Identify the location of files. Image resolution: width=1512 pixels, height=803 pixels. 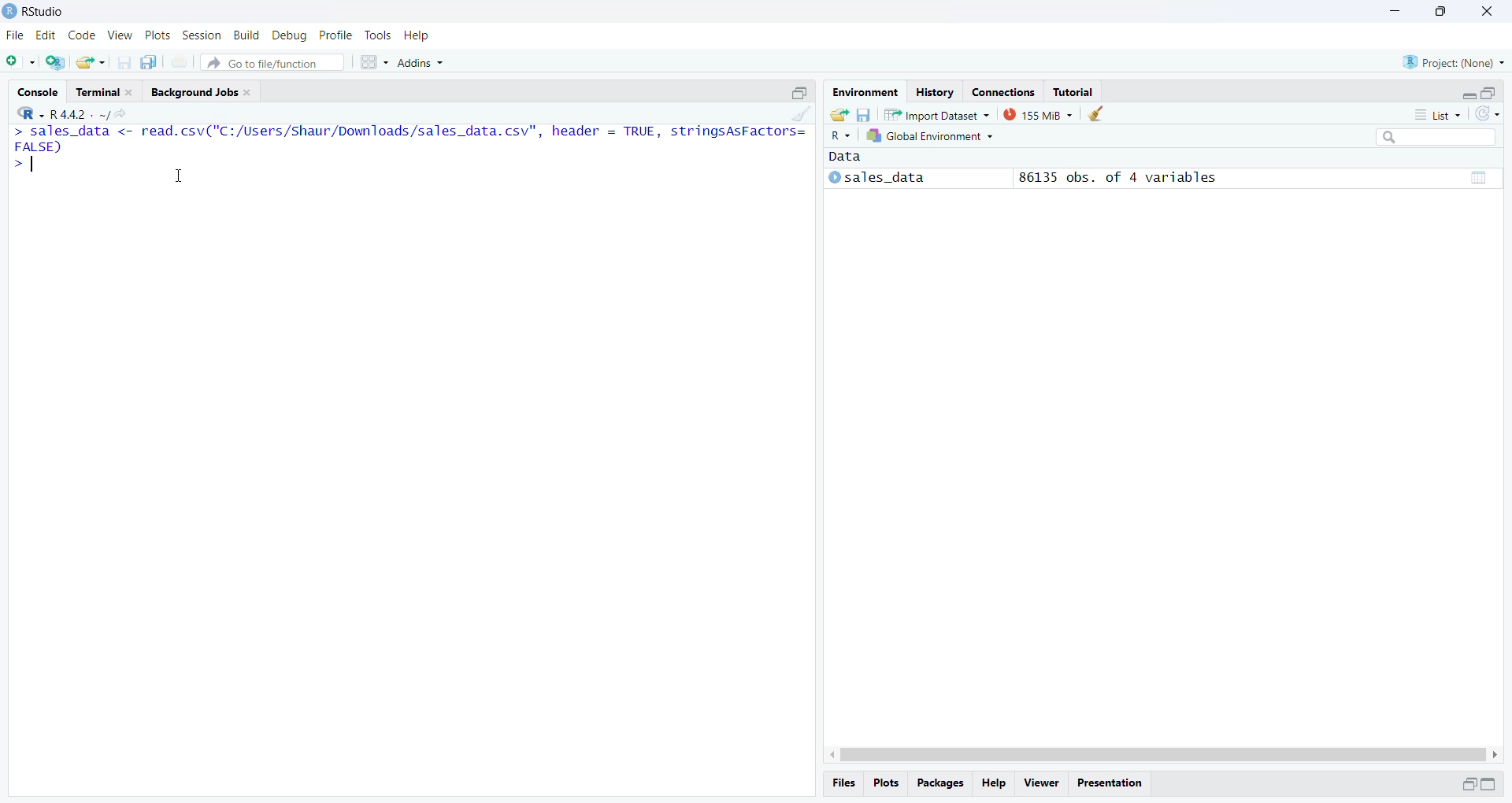
(844, 784).